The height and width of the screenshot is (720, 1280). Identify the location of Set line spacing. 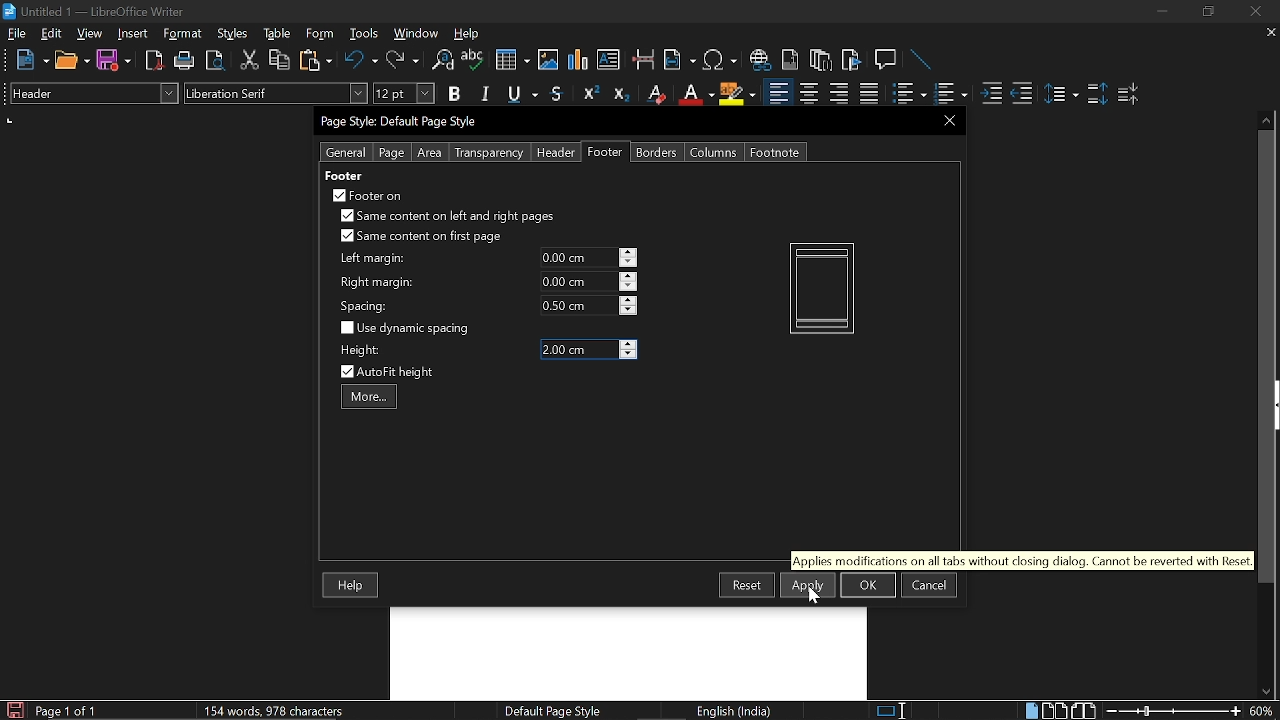
(1060, 94).